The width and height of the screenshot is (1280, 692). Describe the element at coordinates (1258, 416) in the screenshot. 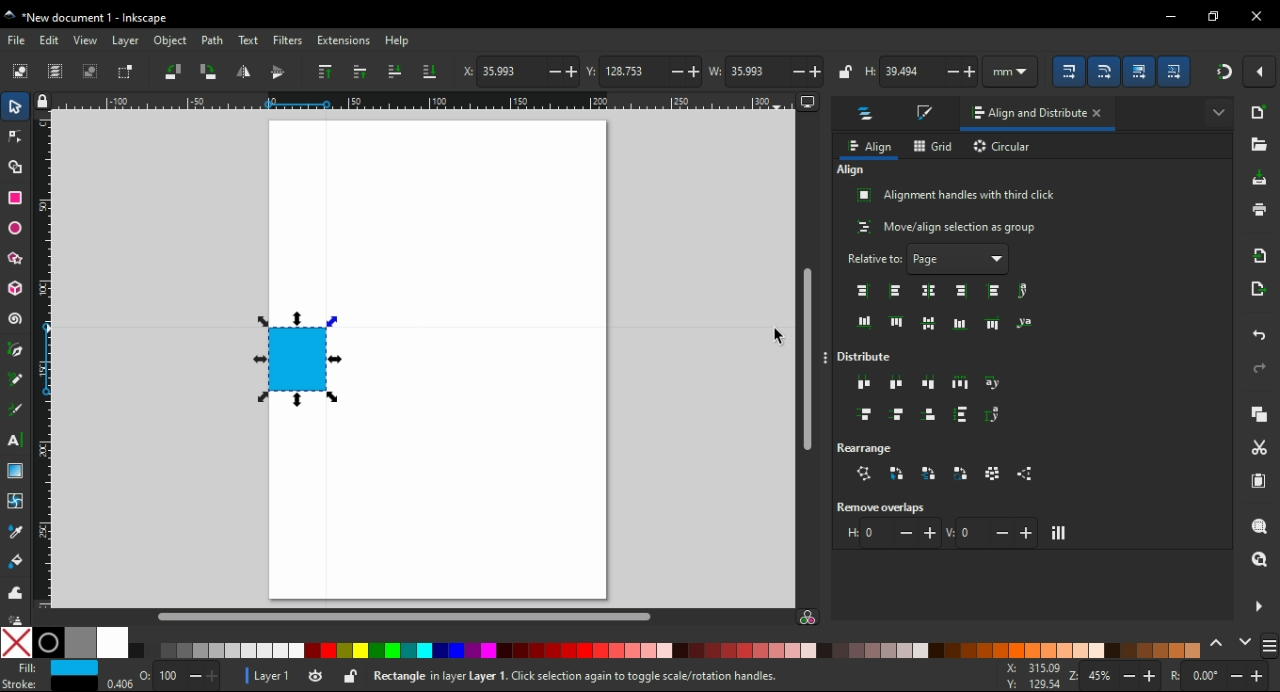

I see `copy` at that location.